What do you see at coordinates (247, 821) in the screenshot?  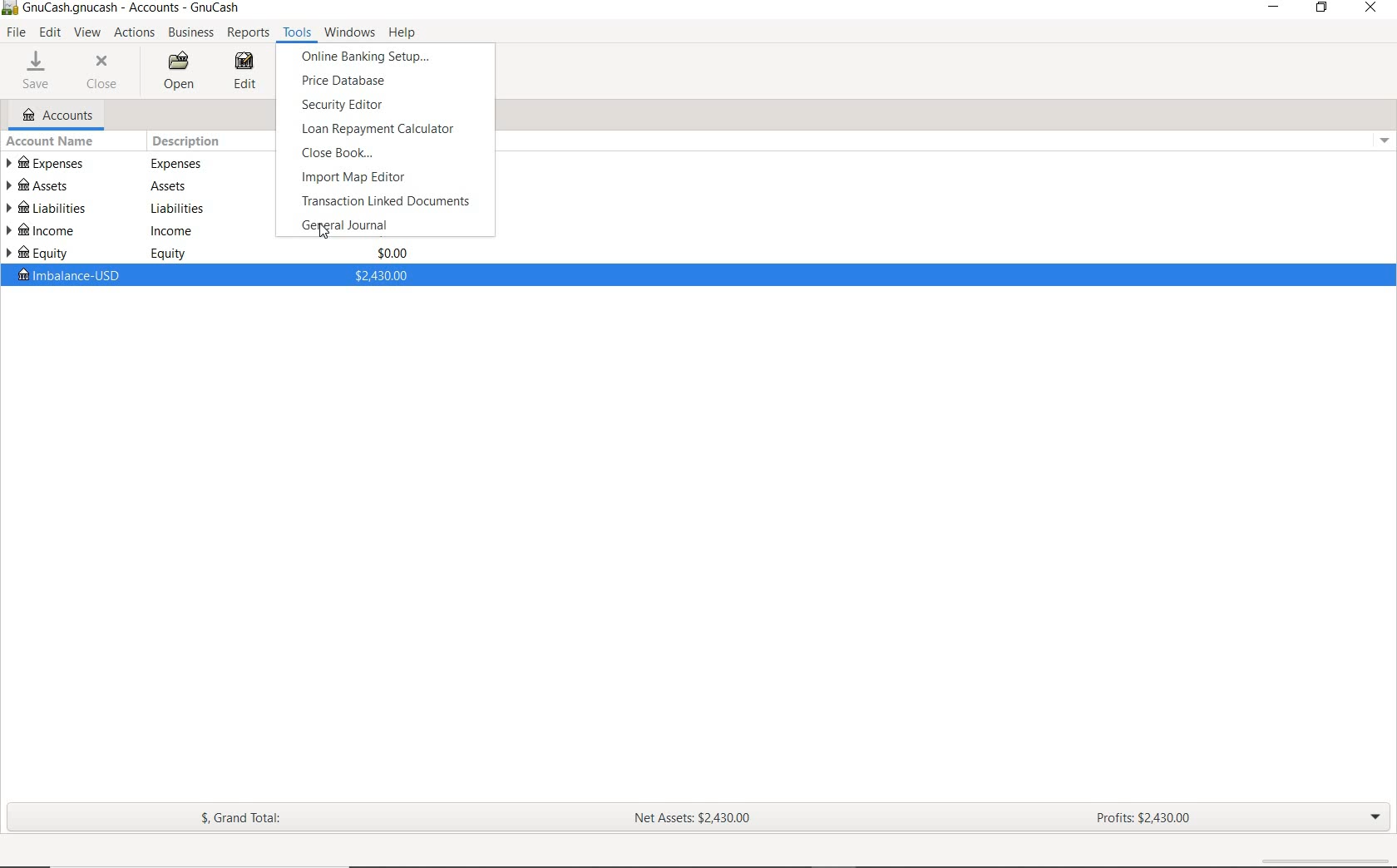 I see `GRAND TOTAL` at bounding box center [247, 821].